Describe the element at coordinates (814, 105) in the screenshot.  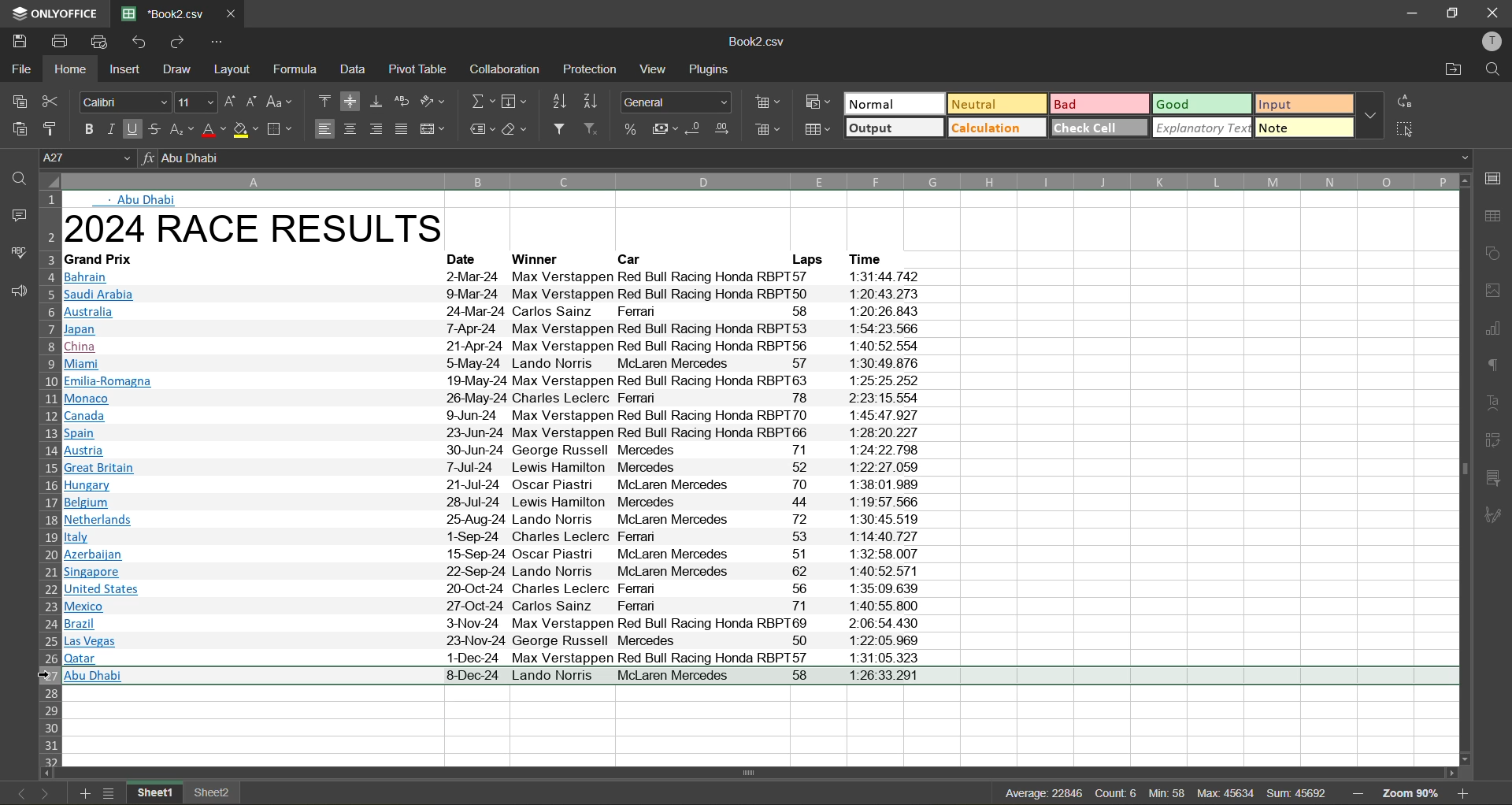
I see `conditional formatting` at that location.